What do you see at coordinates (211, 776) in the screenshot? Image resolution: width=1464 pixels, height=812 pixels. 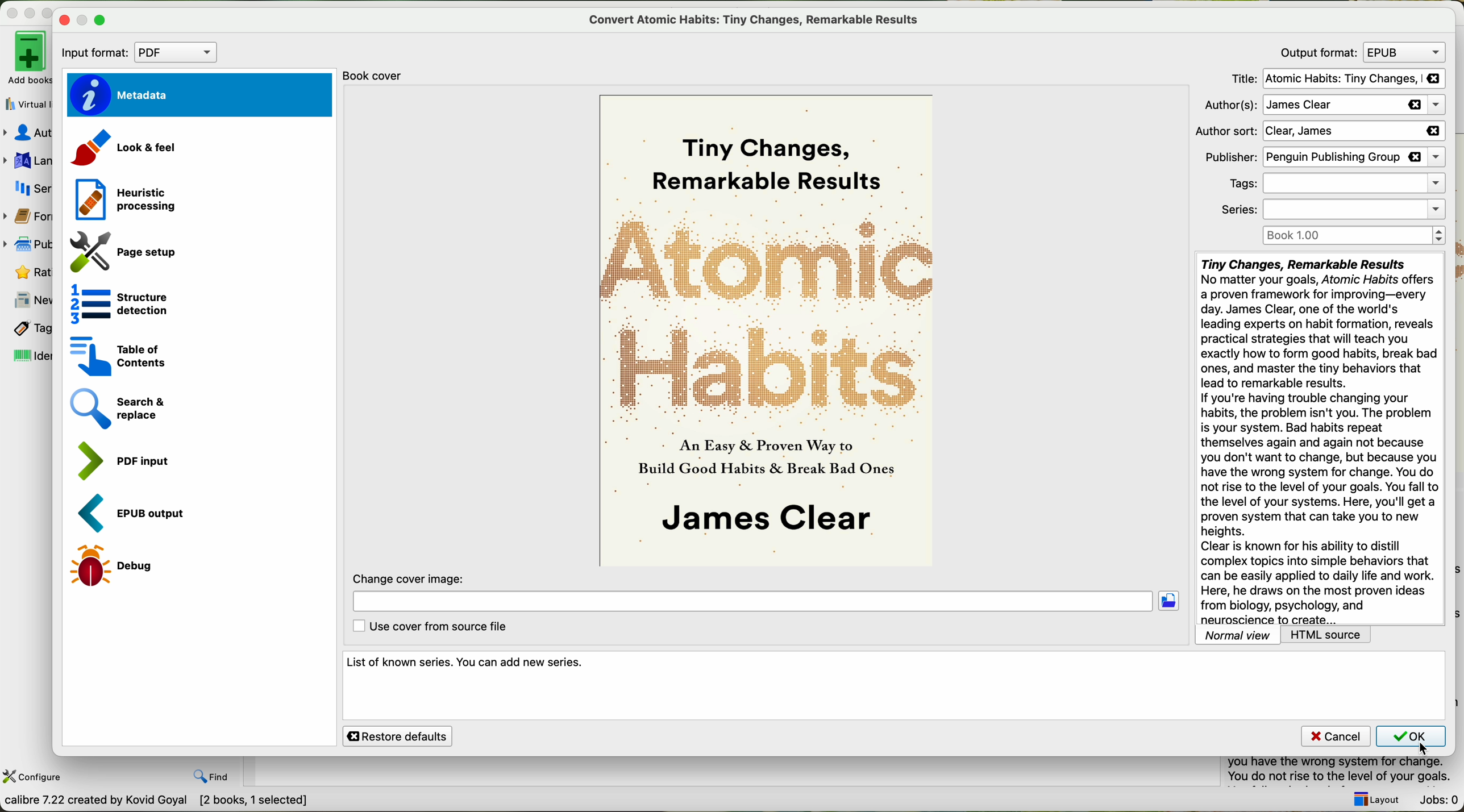 I see `find` at bounding box center [211, 776].